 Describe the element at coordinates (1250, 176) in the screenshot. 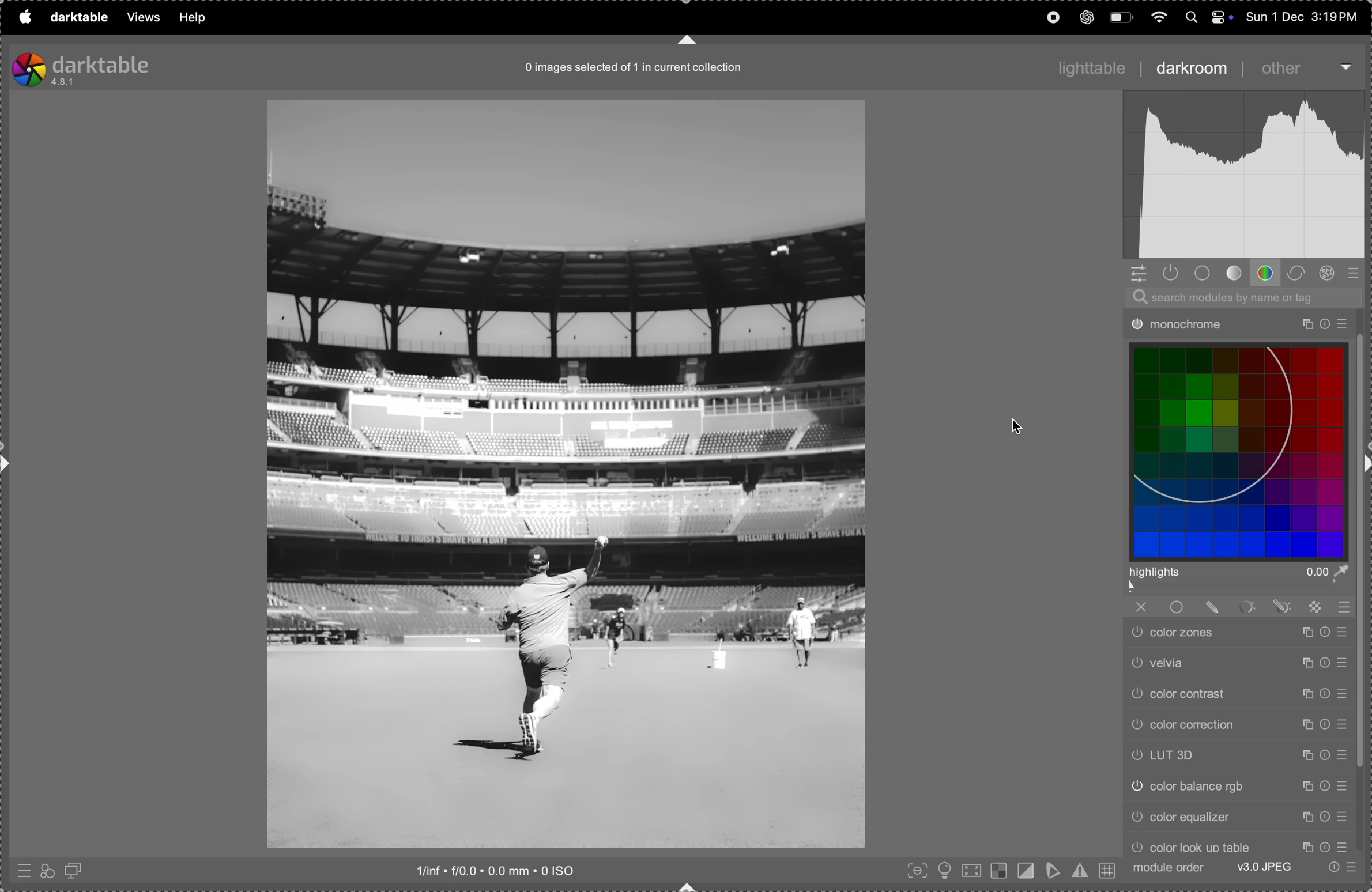

I see `` at that location.